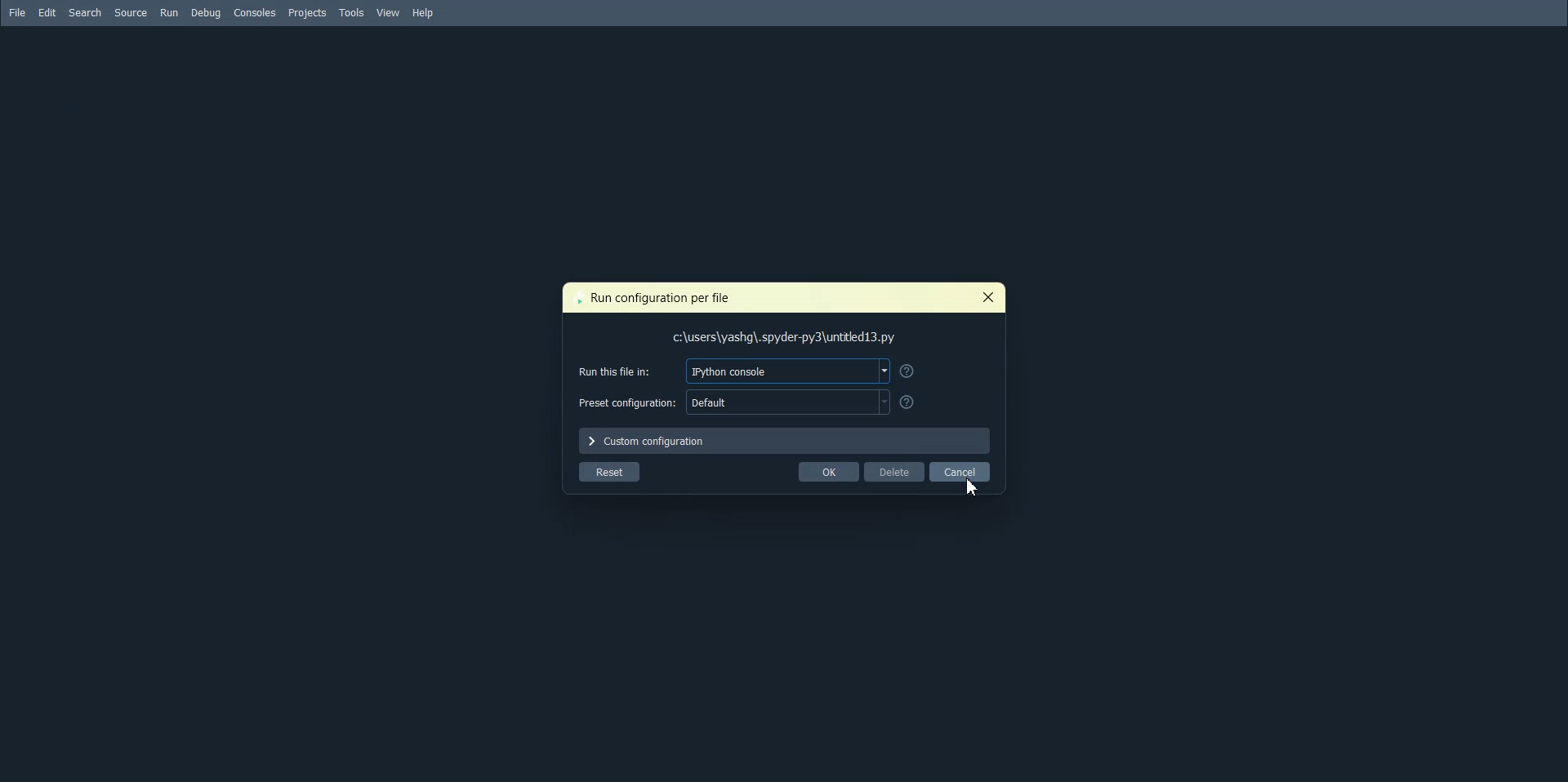 The height and width of the screenshot is (782, 1568). I want to click on OK, so click(830, 471).